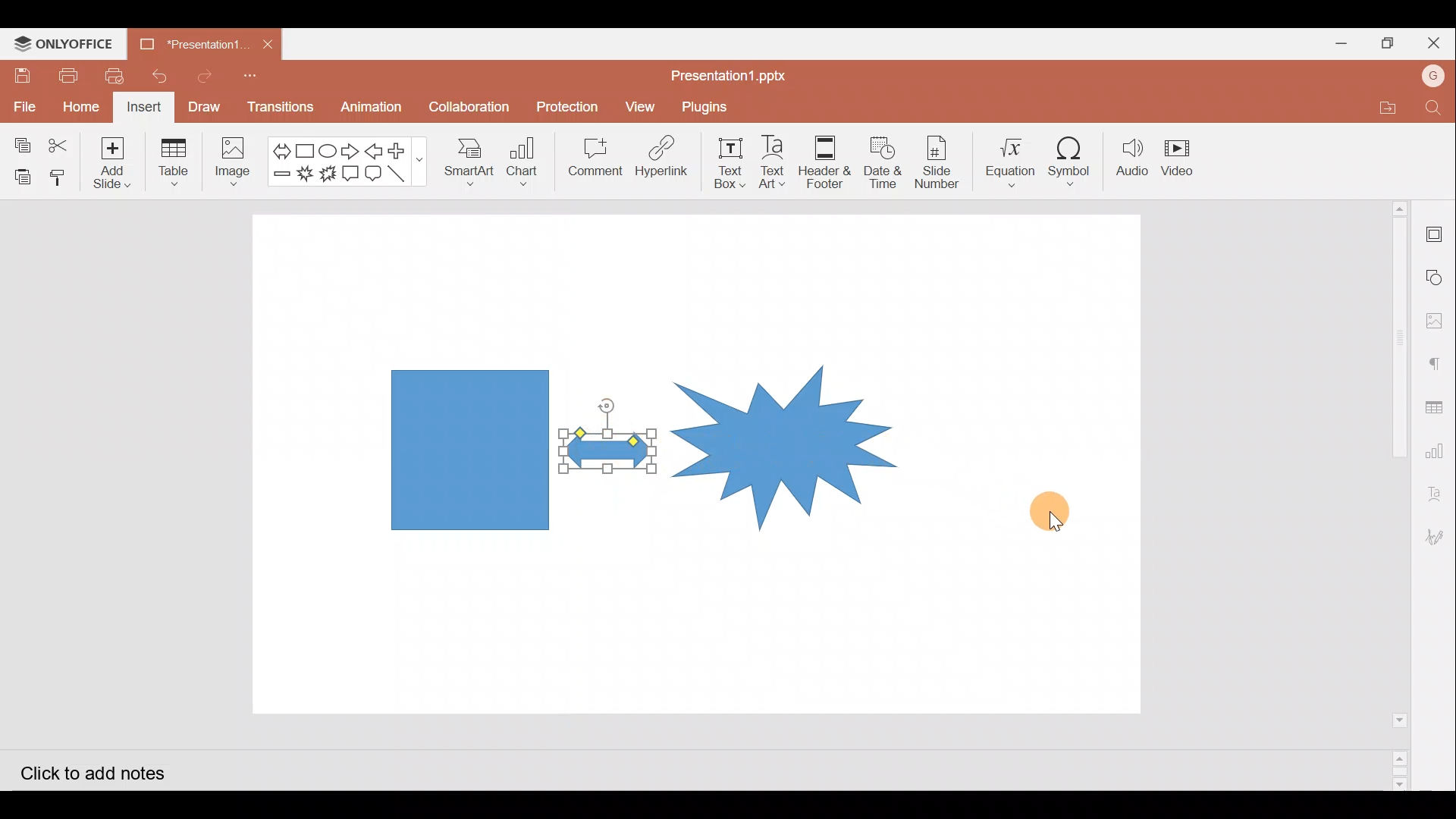 The width and height of the screenshot is (1456, 819). Describe the element at coordinates (618, 457) in the screenshot. I see `Left right arrow` at that location.